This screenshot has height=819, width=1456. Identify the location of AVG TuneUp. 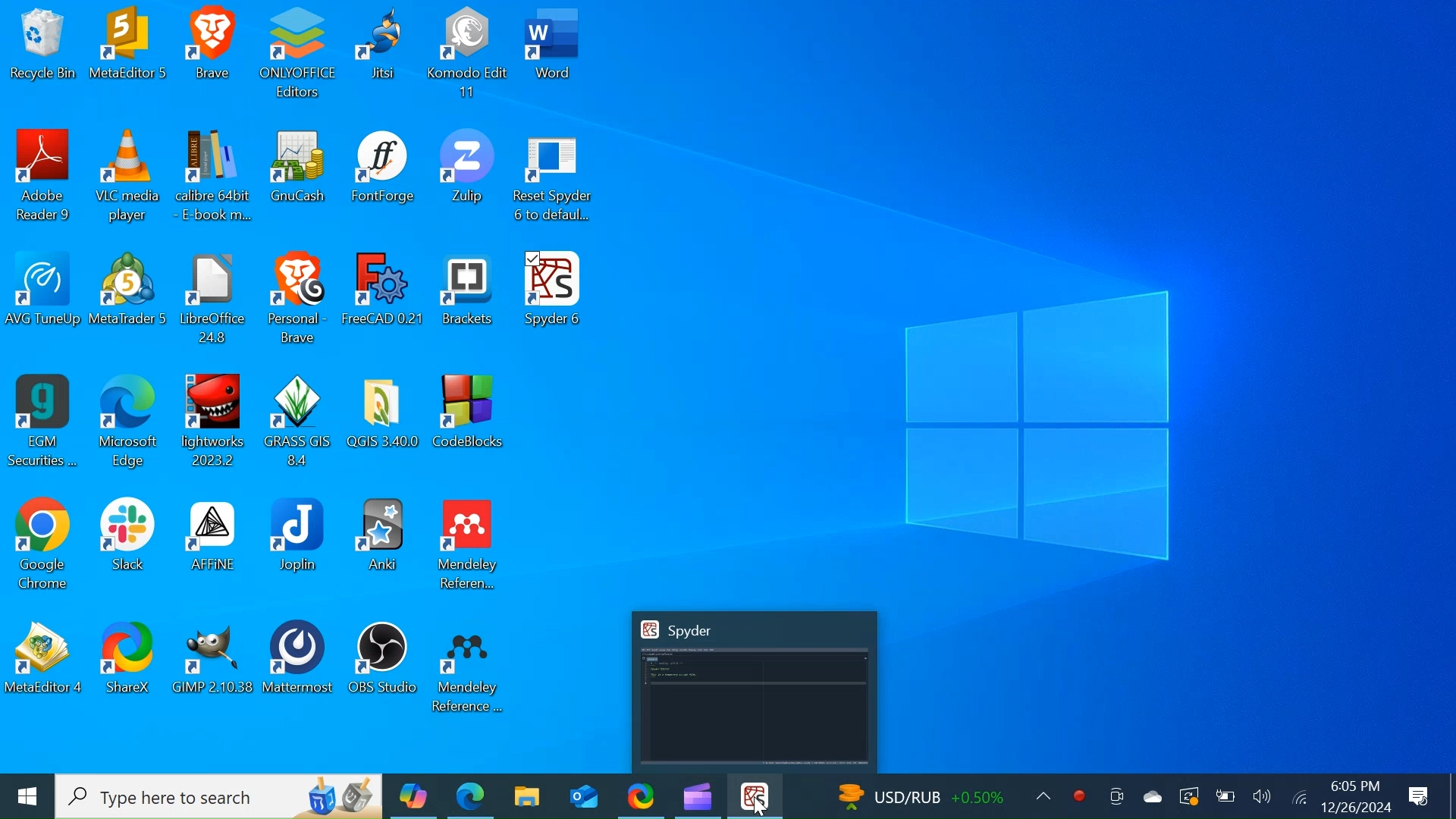
(42, 297).